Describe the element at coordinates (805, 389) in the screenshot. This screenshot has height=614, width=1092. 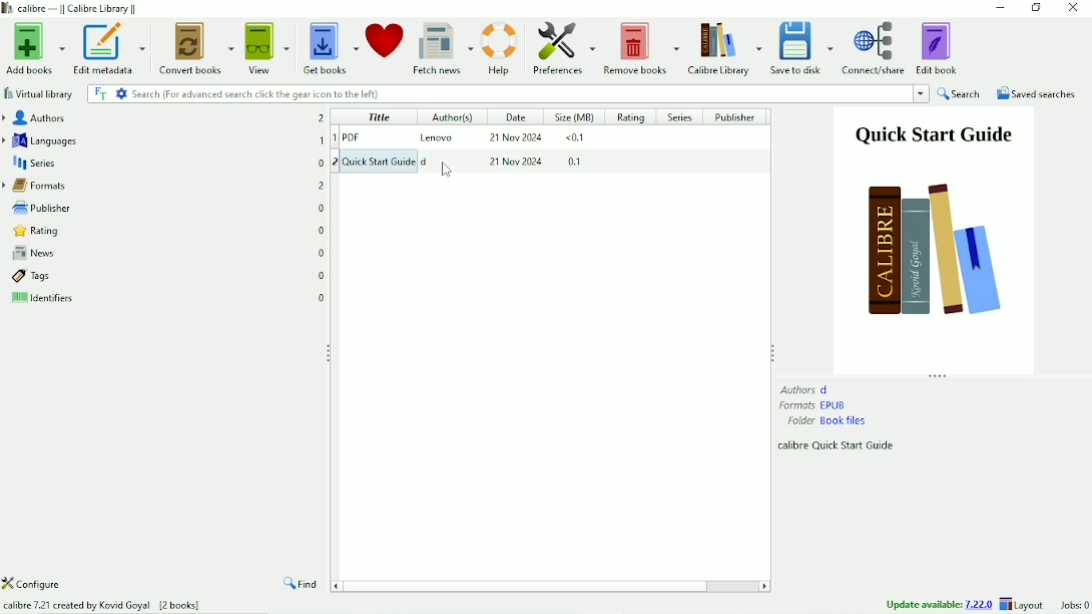
I see `Authors` at that location.